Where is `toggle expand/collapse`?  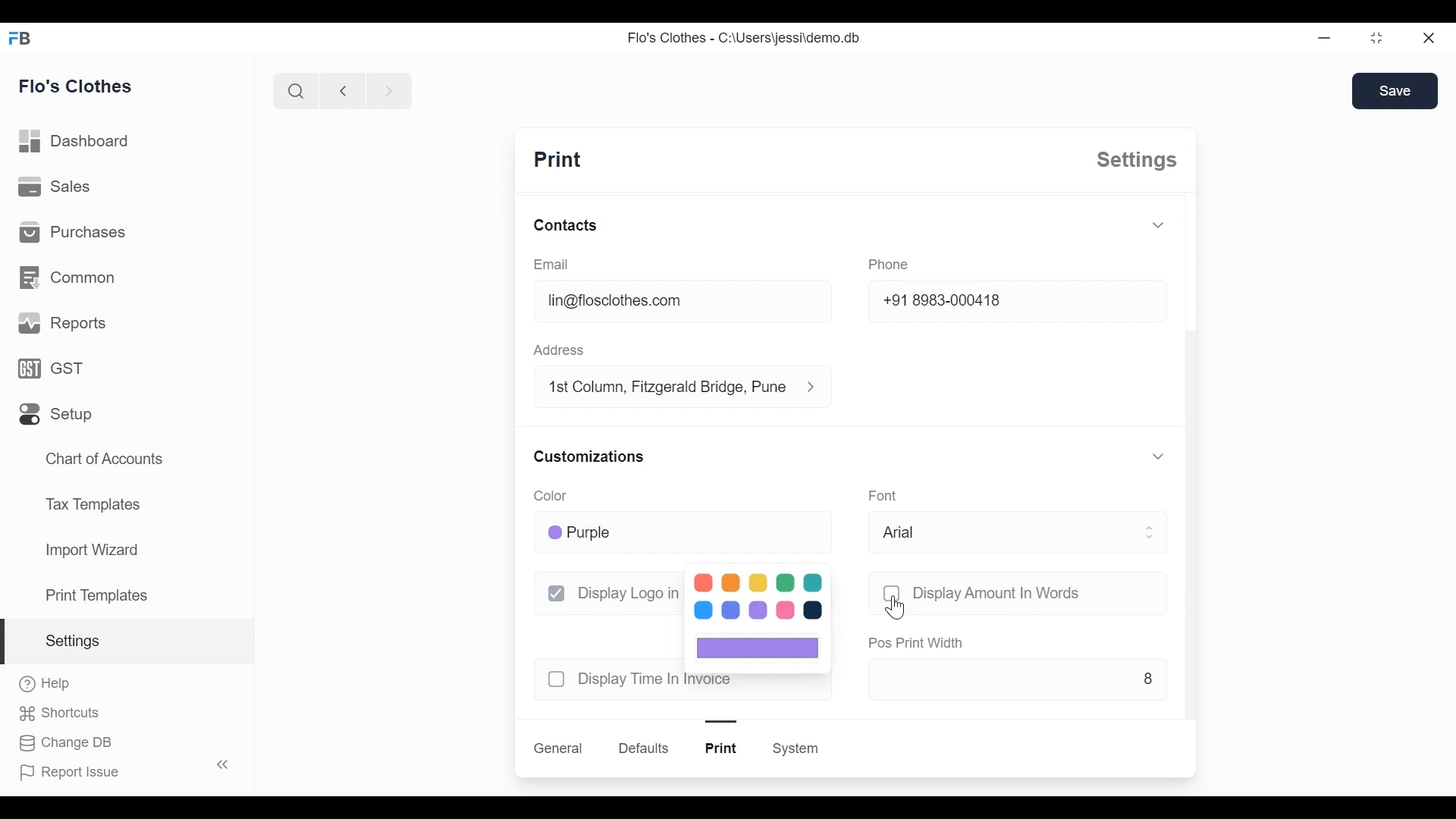
toggle expand/collapse is located at coordinates (1156, 457).